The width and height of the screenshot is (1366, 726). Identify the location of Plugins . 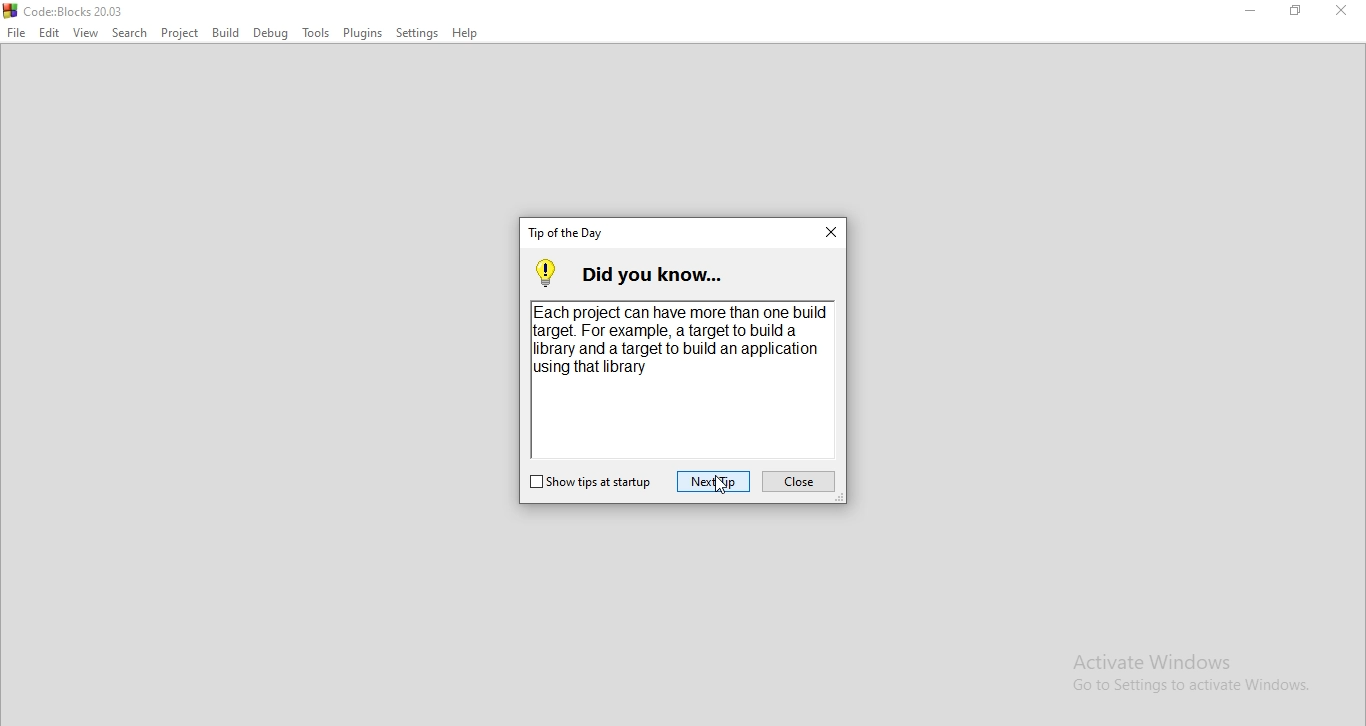
(362, 35).